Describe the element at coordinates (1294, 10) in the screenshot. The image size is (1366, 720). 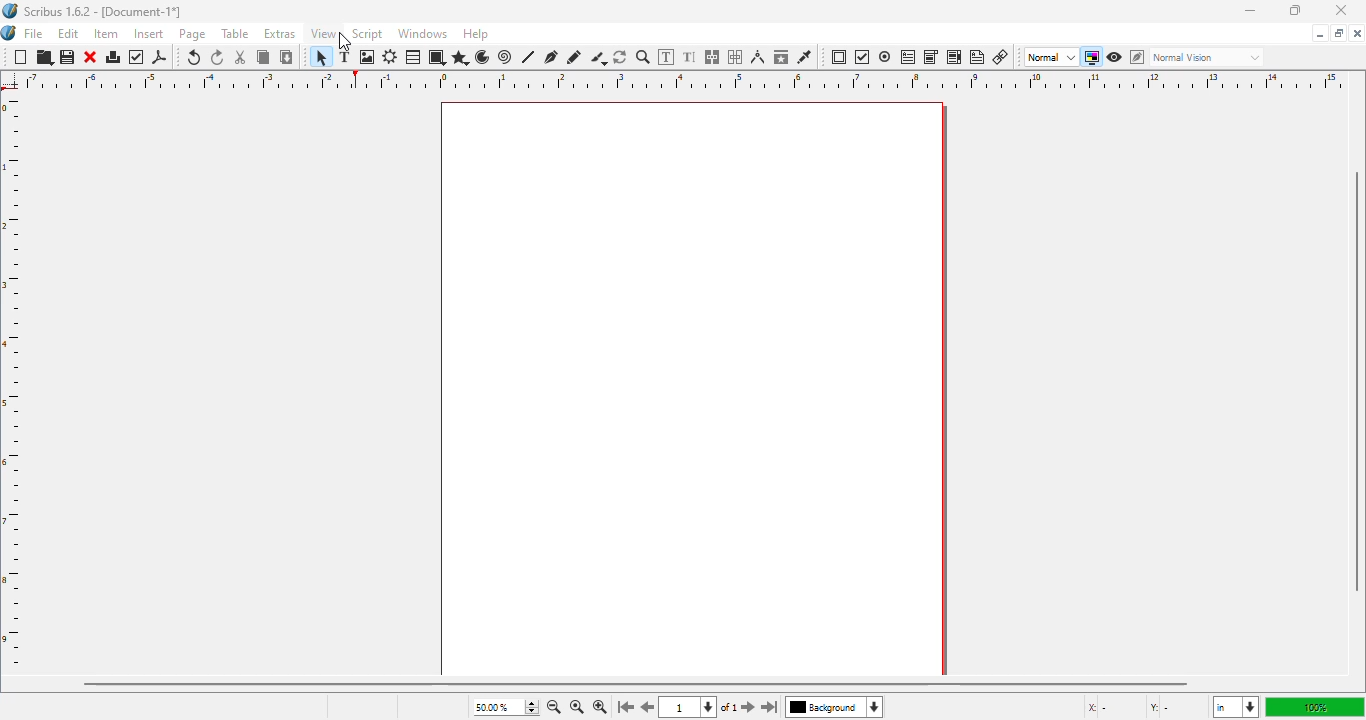
I see `maximize` at that location.